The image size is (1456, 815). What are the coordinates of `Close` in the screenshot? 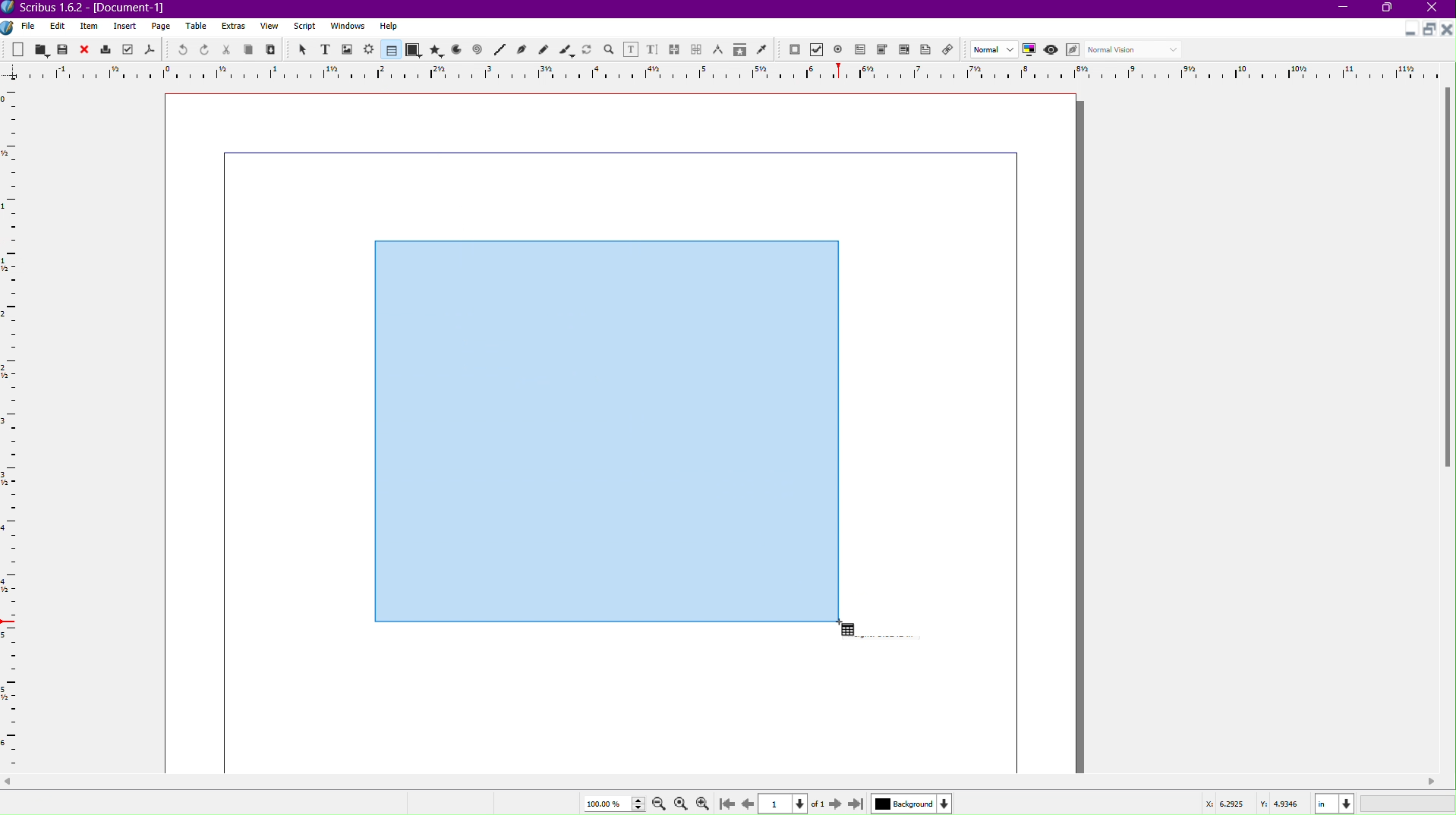 It's located at (1436, 9).